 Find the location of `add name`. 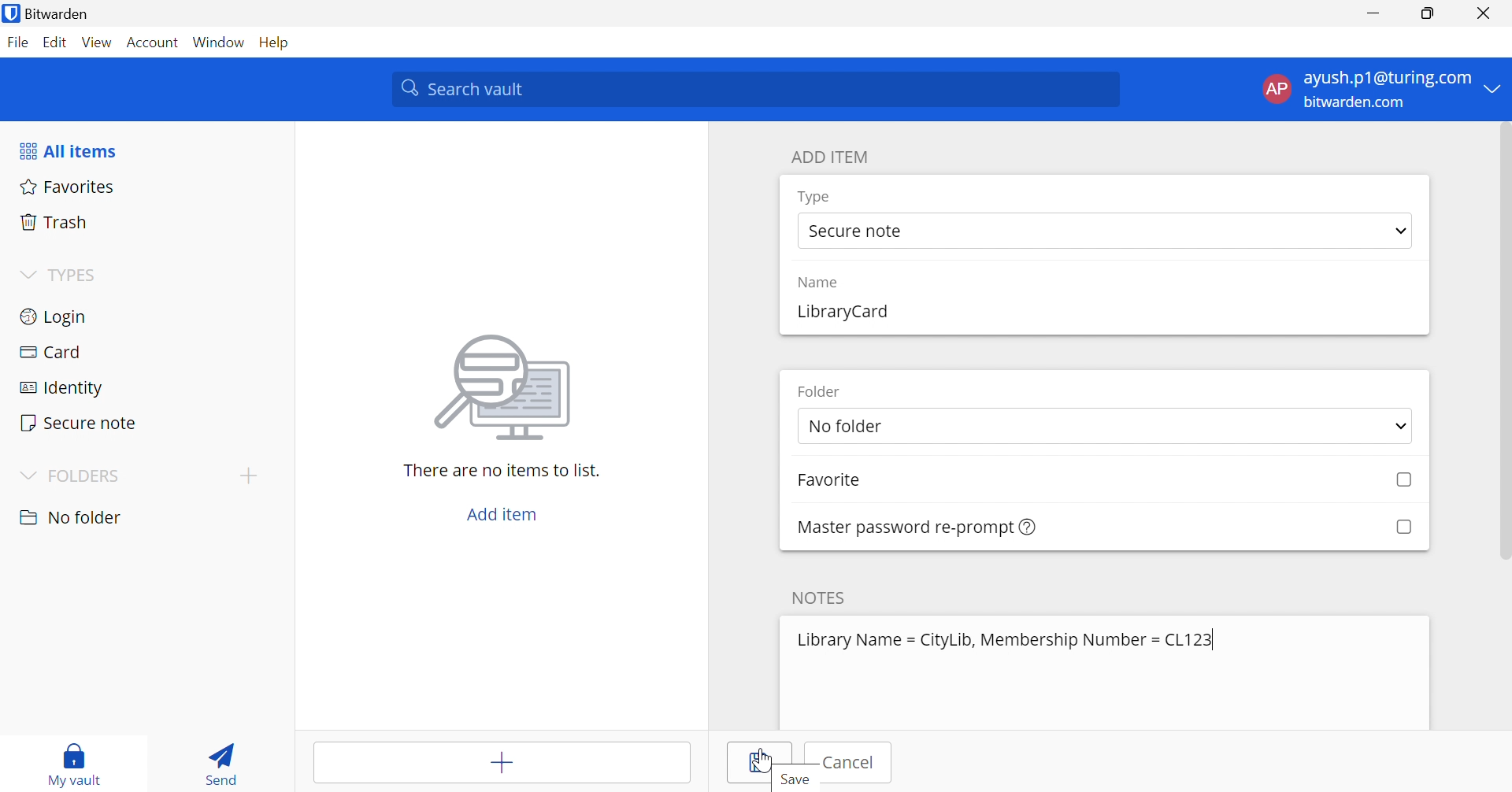

add name is located at coordinates (1102, 315).